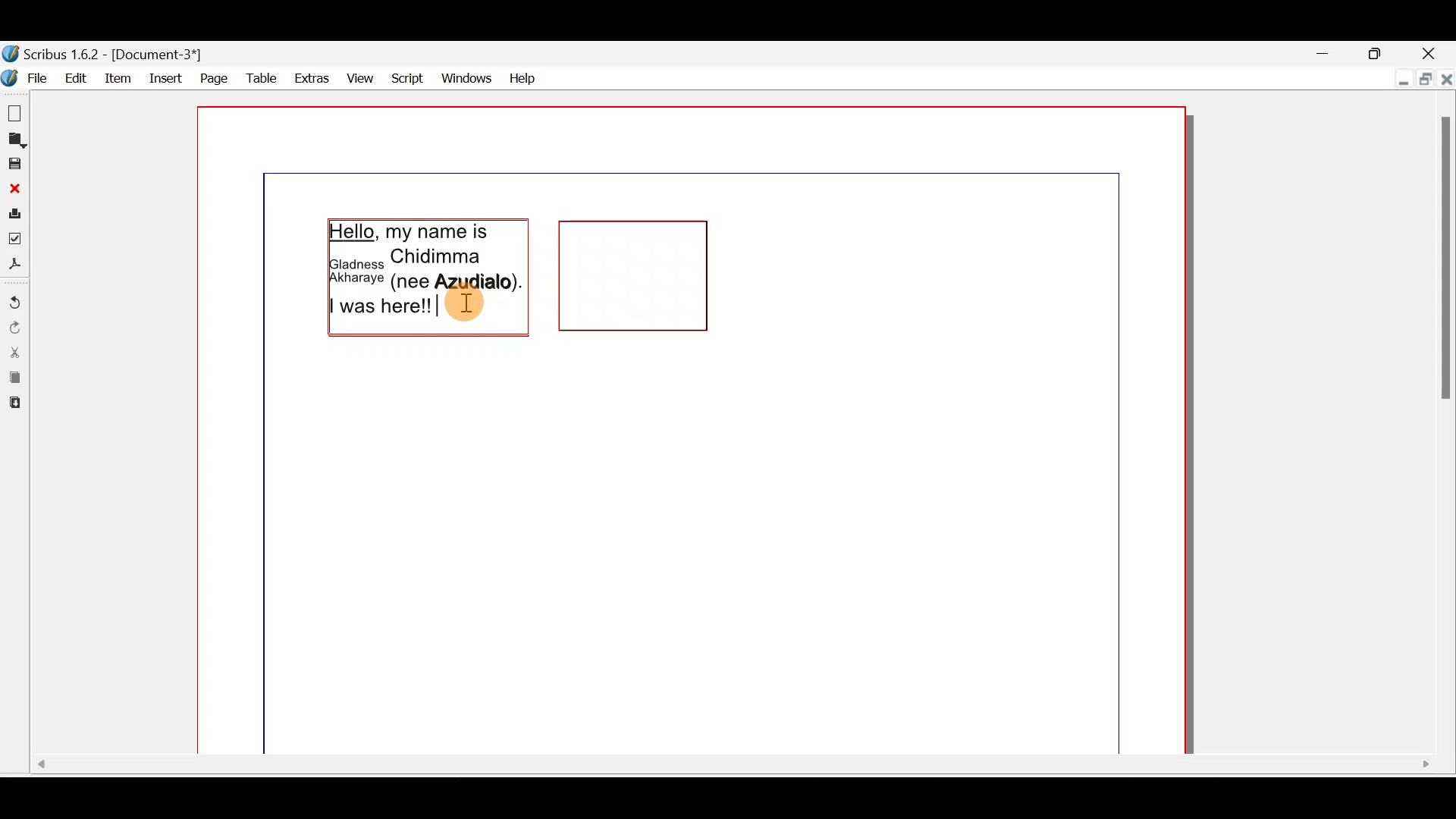  What do you see at coordinates (309, 77) in the screenshot?
I see `Extras` at bounding box center [309, 77].